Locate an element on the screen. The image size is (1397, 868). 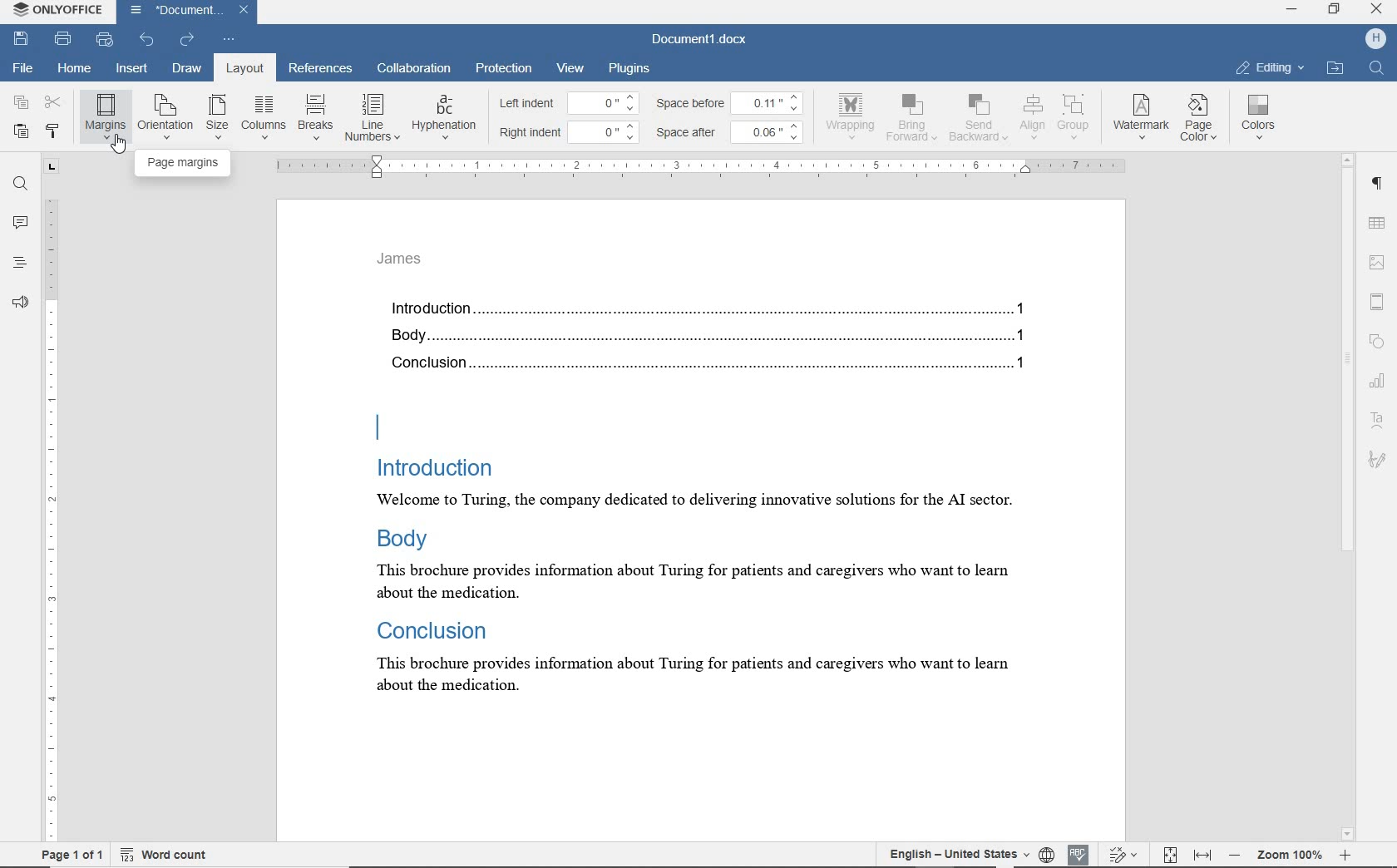
header text is located at coordinates (407, 264).